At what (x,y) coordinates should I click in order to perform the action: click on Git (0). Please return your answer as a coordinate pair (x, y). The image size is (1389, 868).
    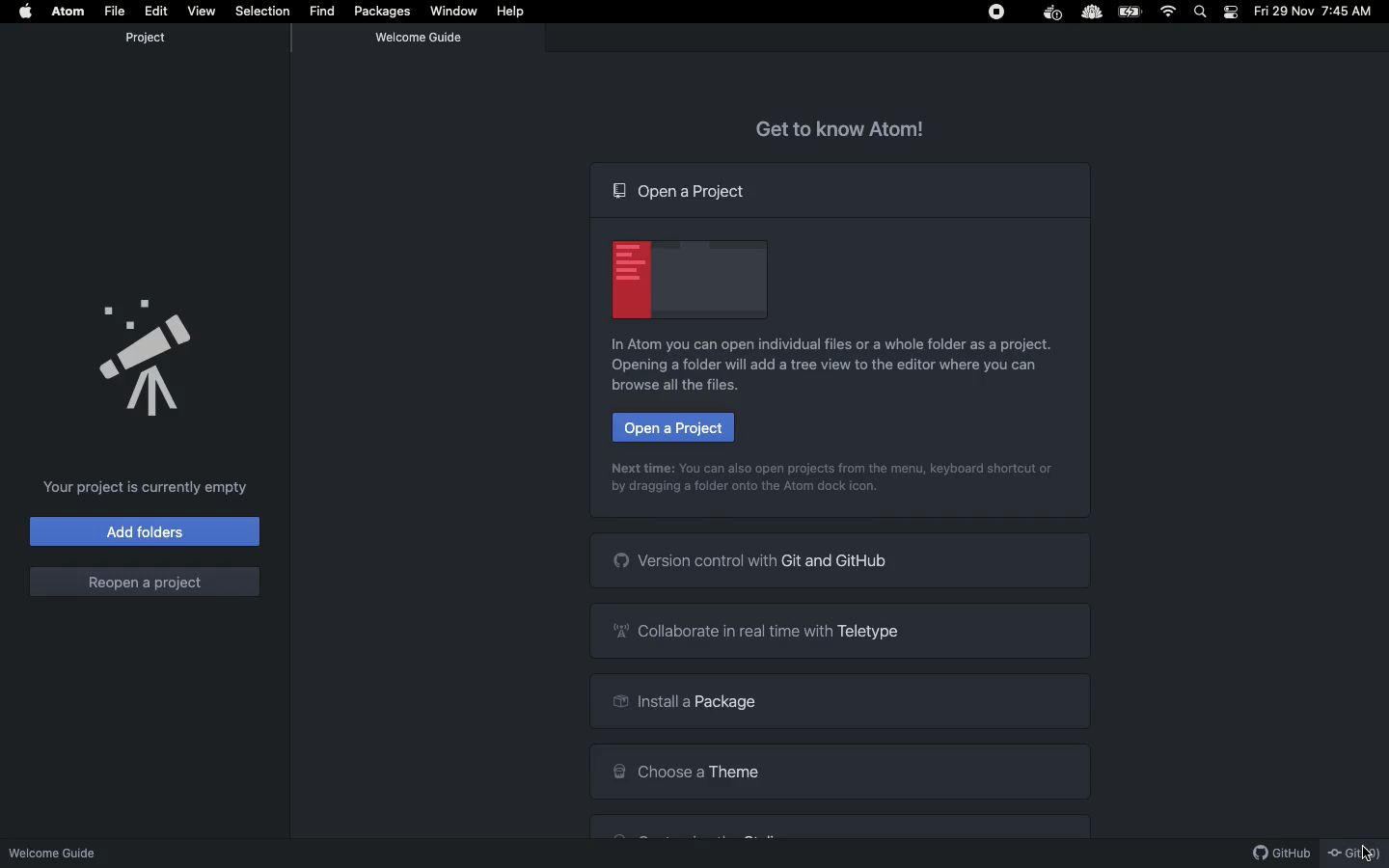
    Looking at the image, I should click on (1354, 853).